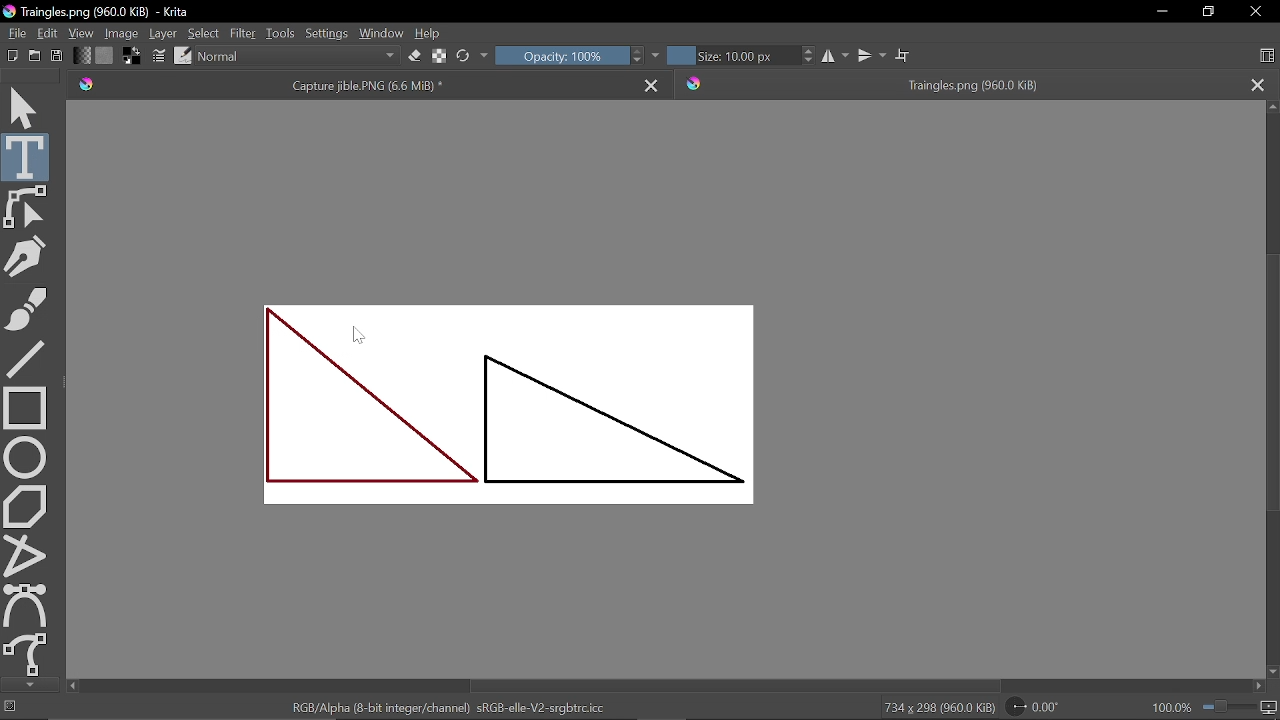  I want to click on vertical mirror tool, so click(871, 56).